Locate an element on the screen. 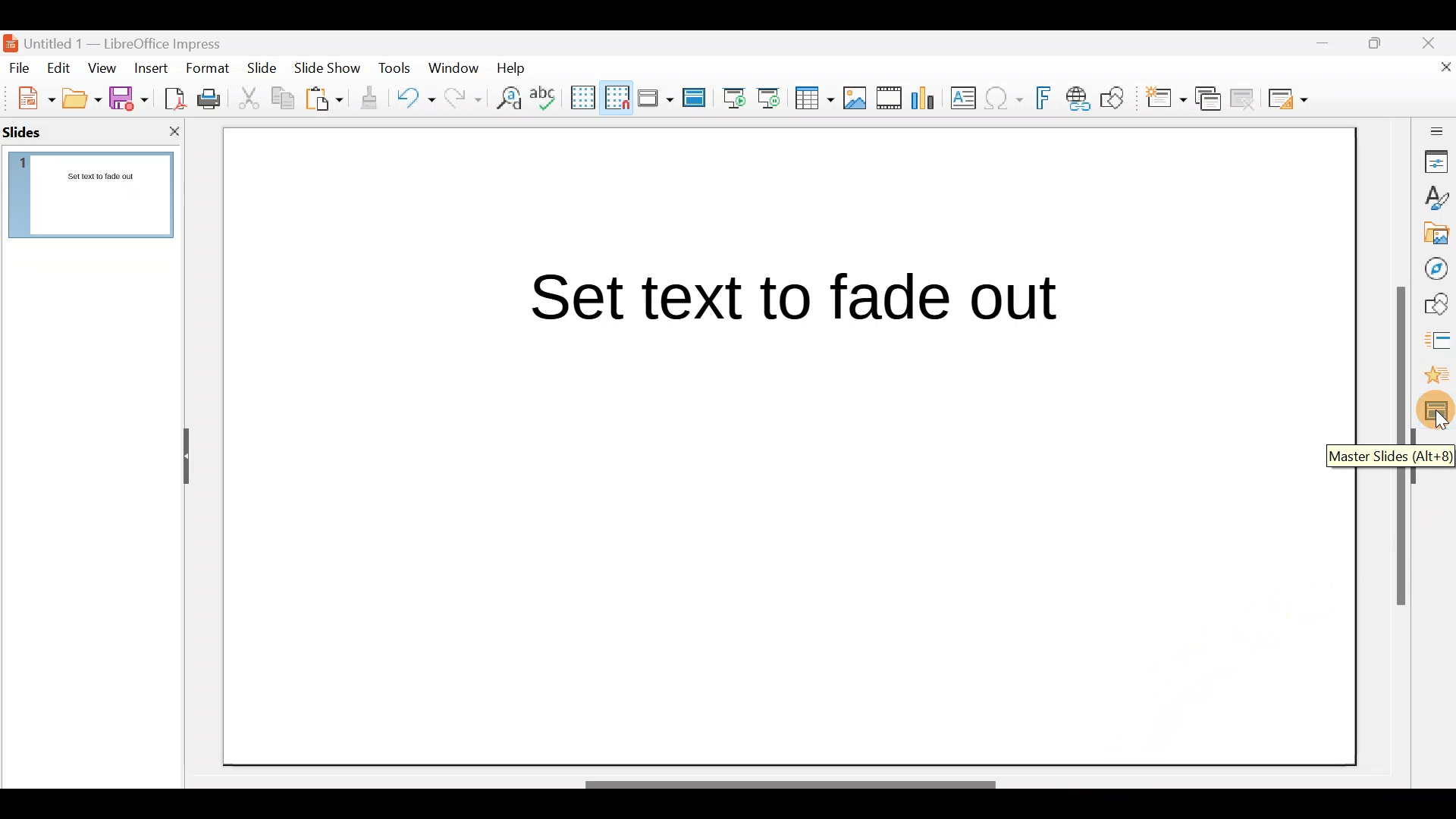 The image size is (1456, 819). New is located at coordinates (28, 96).